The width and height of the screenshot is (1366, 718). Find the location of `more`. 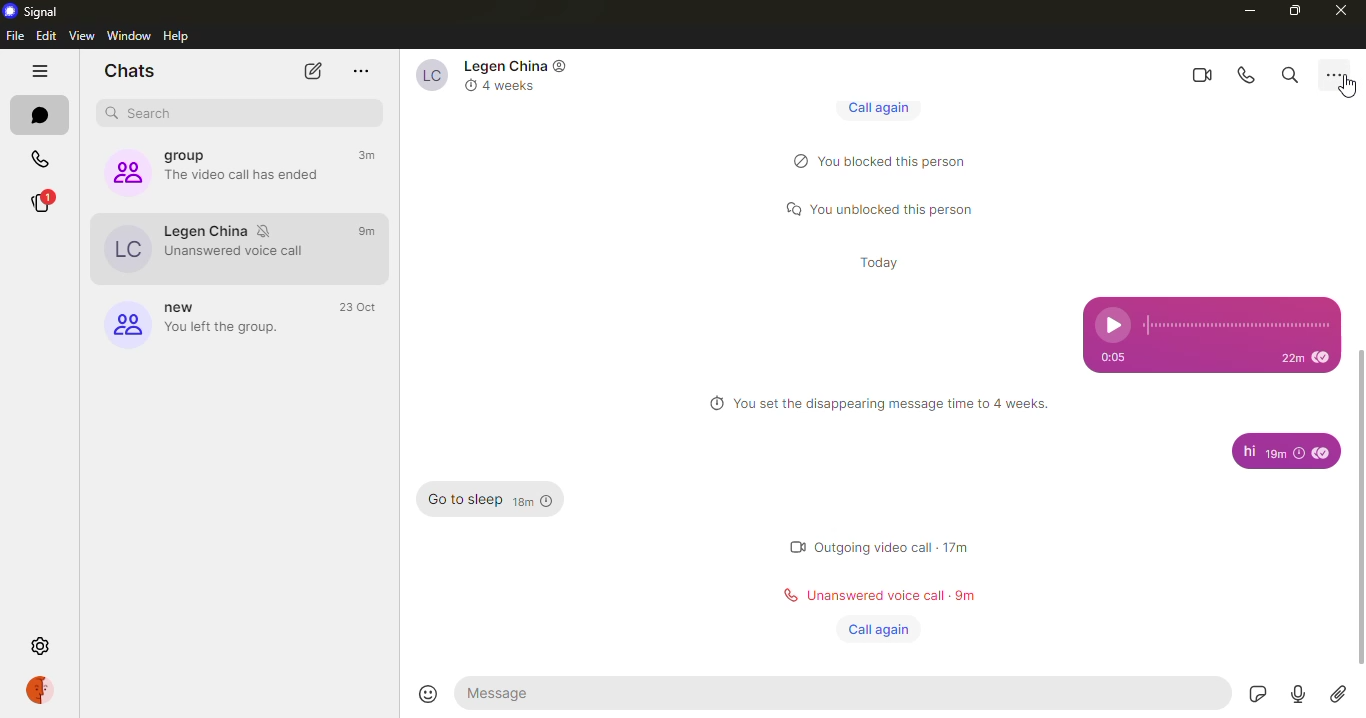

more is located at coordinates (1341, 75).